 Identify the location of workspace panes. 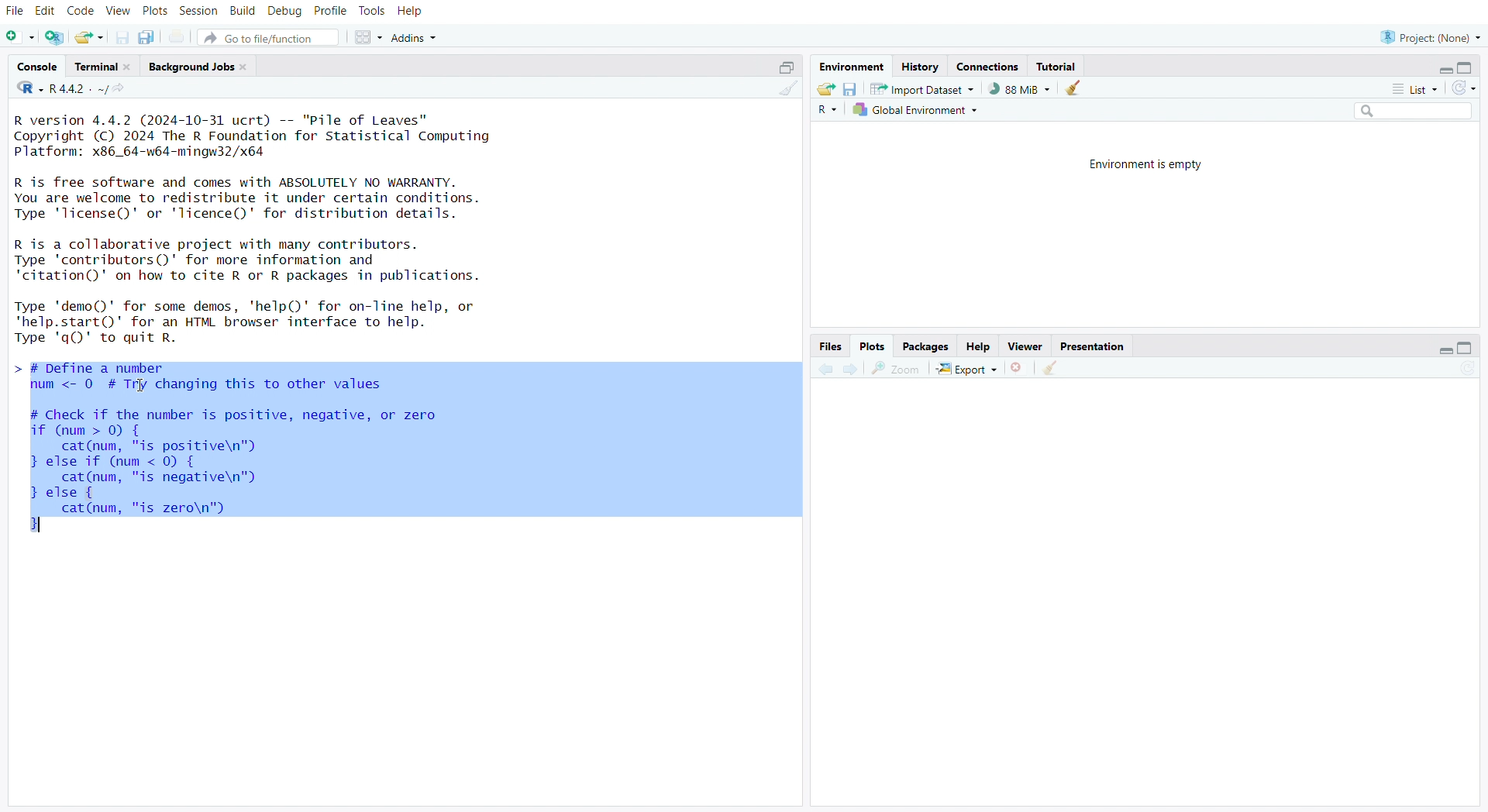
(370, 38).